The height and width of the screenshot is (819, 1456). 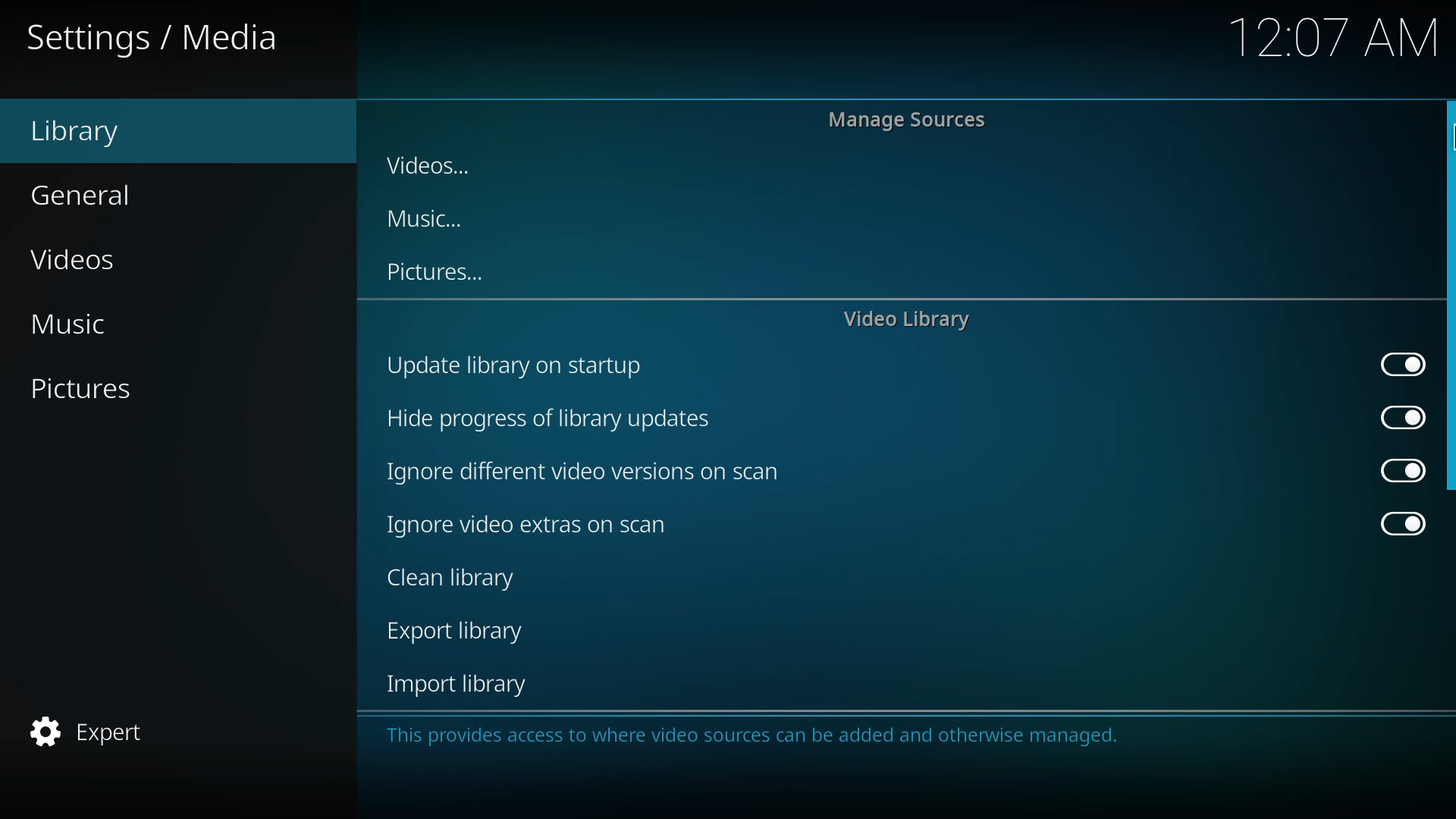 I want to click on info, so click(x=757, y=734).